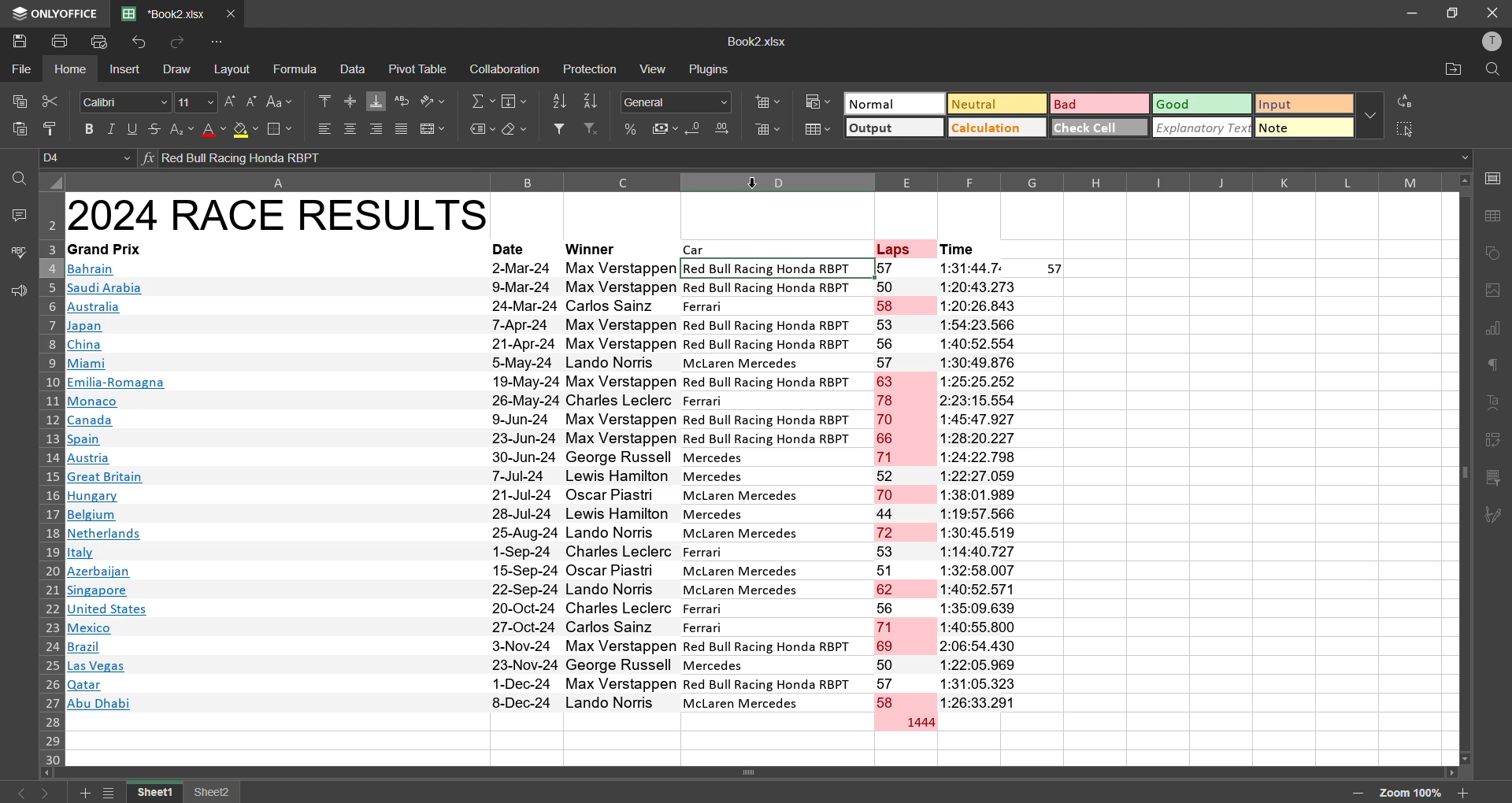 The width and height of the screenshot is (1512, 803). Describe the element at coordinates (1406, 128) in the screenshot. I see `select all` at that location.